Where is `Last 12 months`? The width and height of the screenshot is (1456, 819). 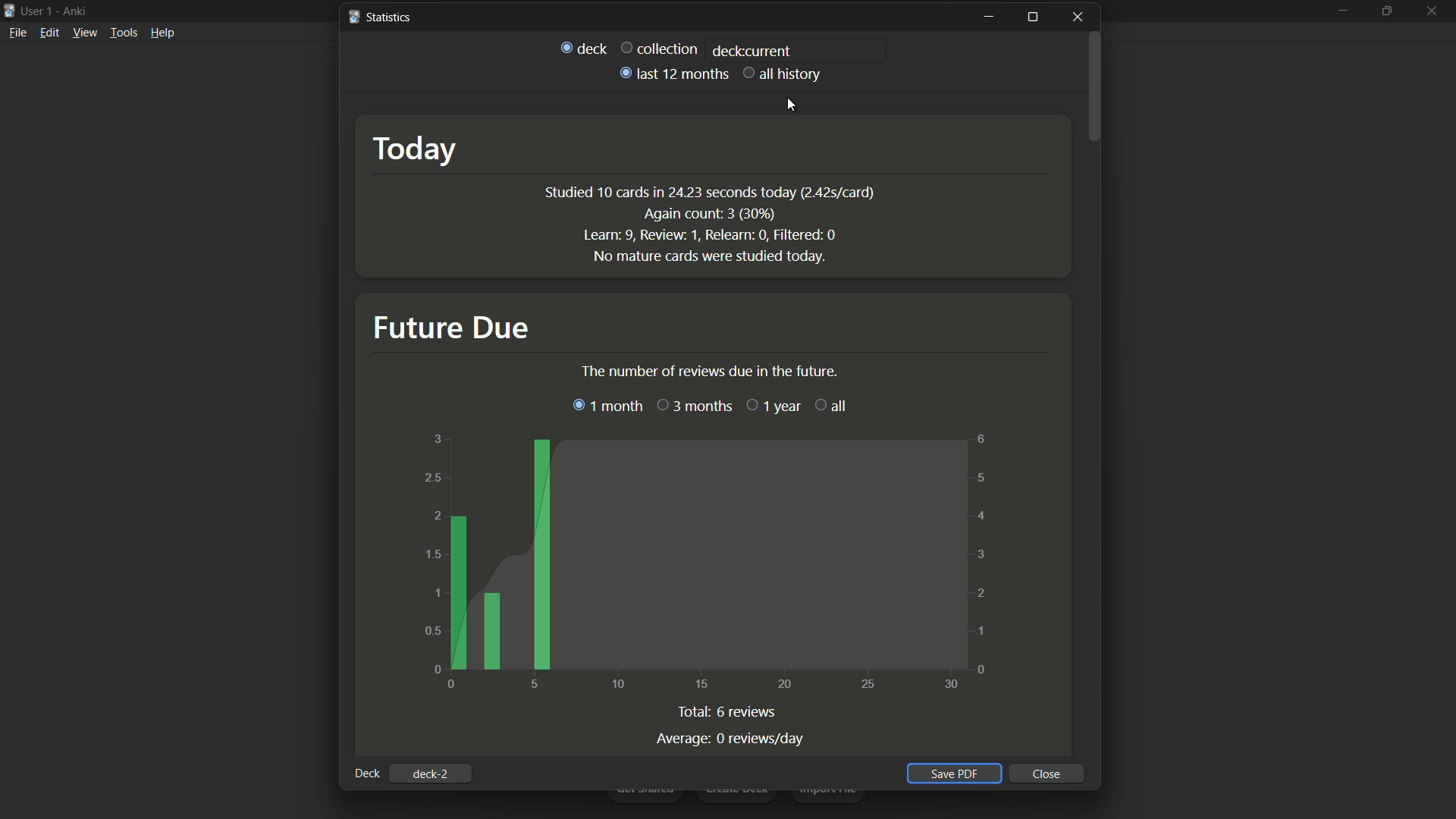 Last 12 months is located at coordinates (672, 73).